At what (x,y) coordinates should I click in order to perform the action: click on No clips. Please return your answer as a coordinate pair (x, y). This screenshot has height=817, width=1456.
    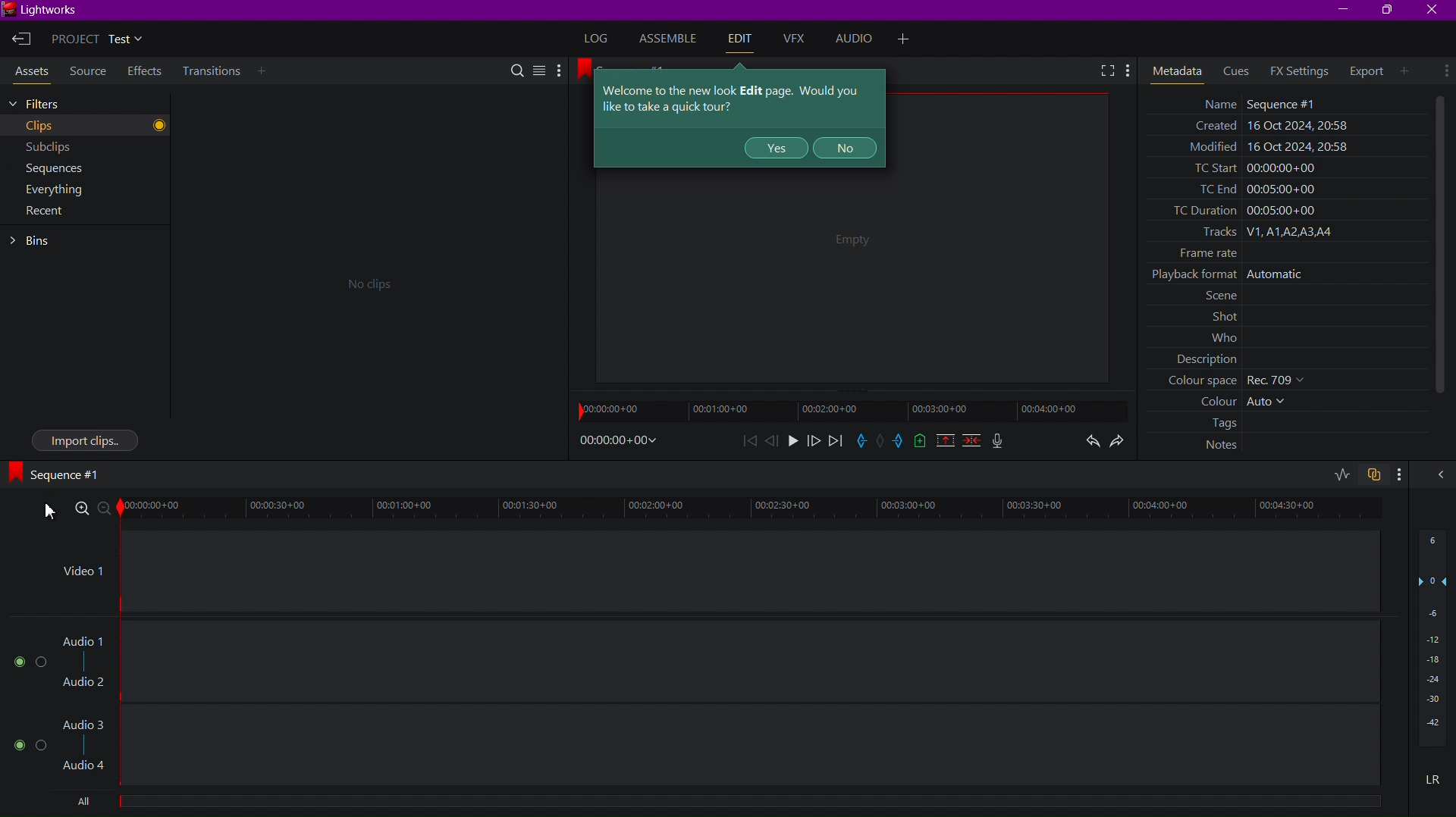
    Looking at the image, I should click on (375, 273).